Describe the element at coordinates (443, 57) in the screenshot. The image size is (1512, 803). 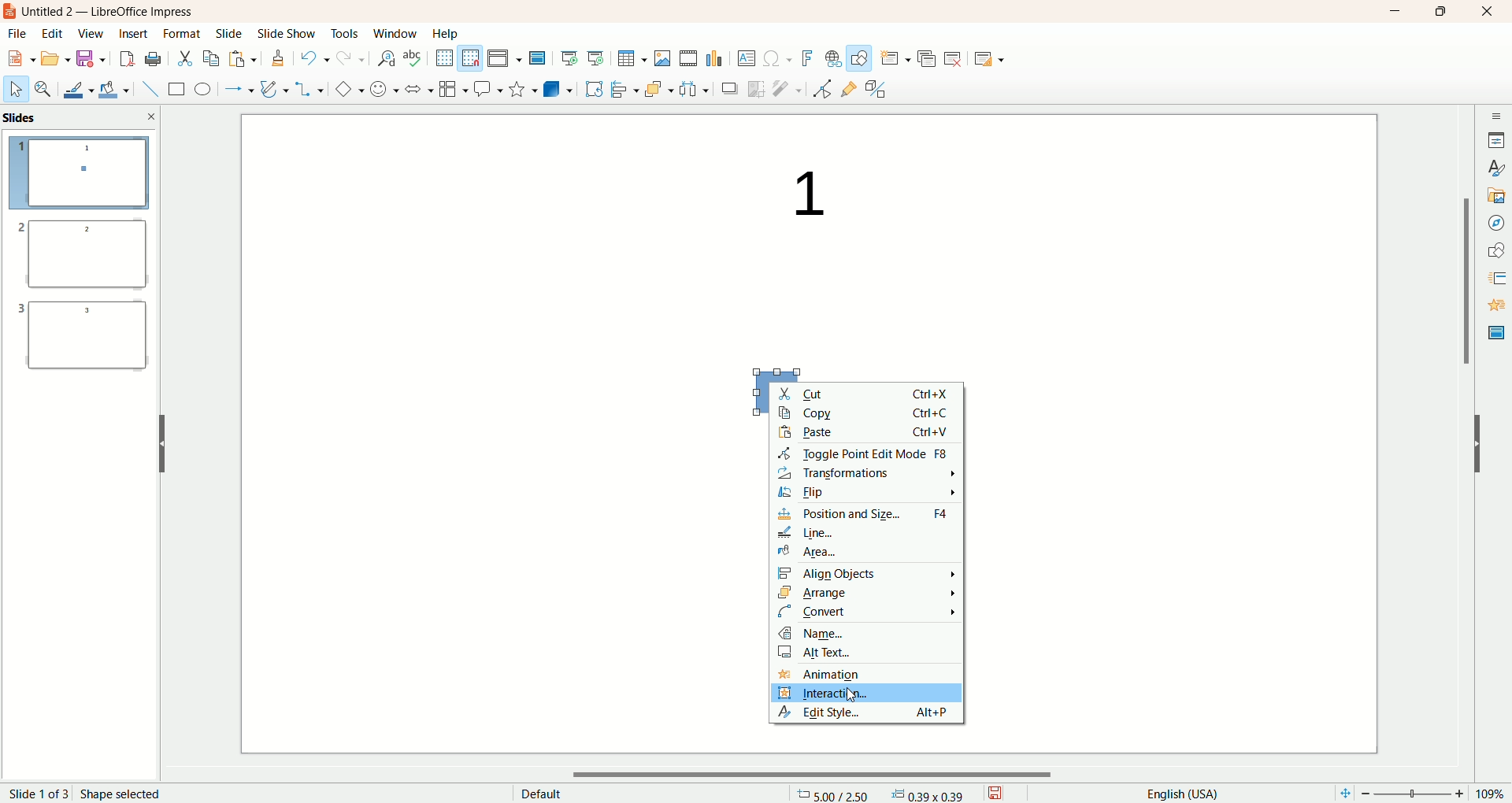
I see `show grid` at that location.